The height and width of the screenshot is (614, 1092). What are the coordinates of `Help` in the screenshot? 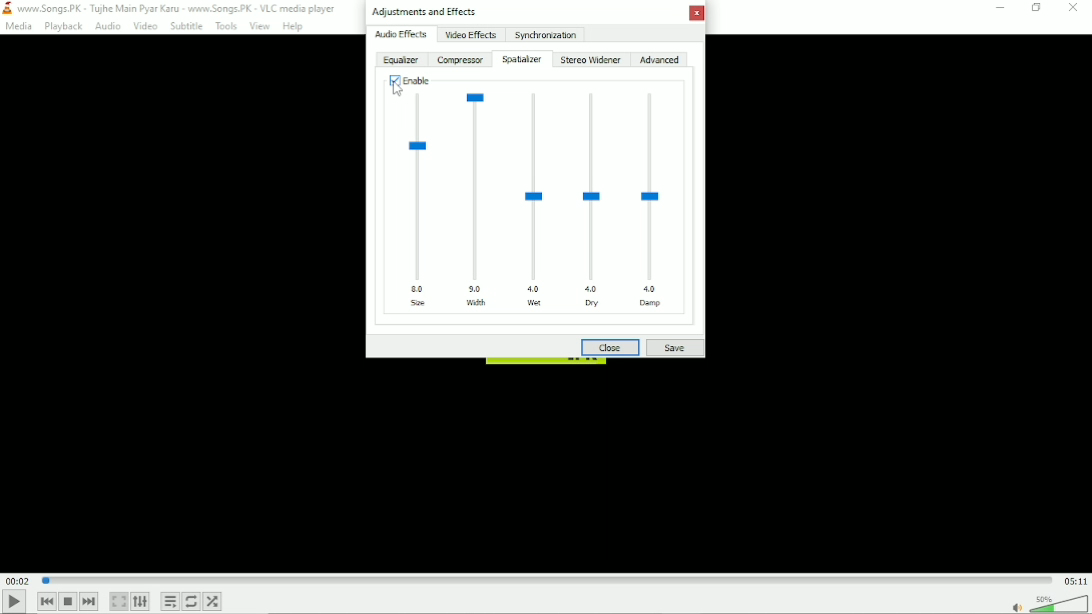 It's located at (293, 26).